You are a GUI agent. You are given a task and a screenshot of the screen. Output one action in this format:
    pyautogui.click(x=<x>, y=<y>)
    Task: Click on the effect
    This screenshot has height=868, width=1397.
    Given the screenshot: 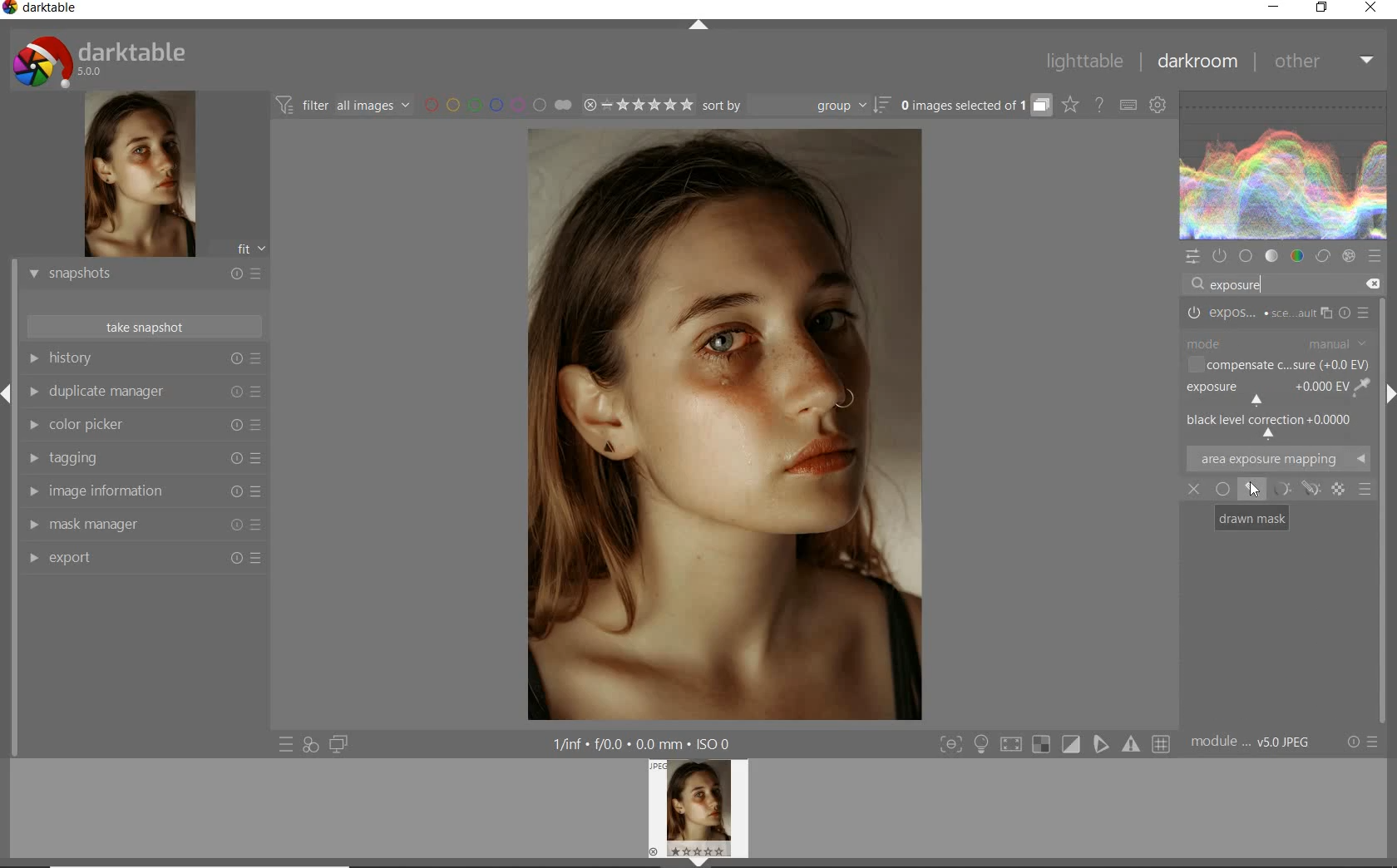 What is the action you would take?
    pyautogui.click(x=1348, y=256)
    